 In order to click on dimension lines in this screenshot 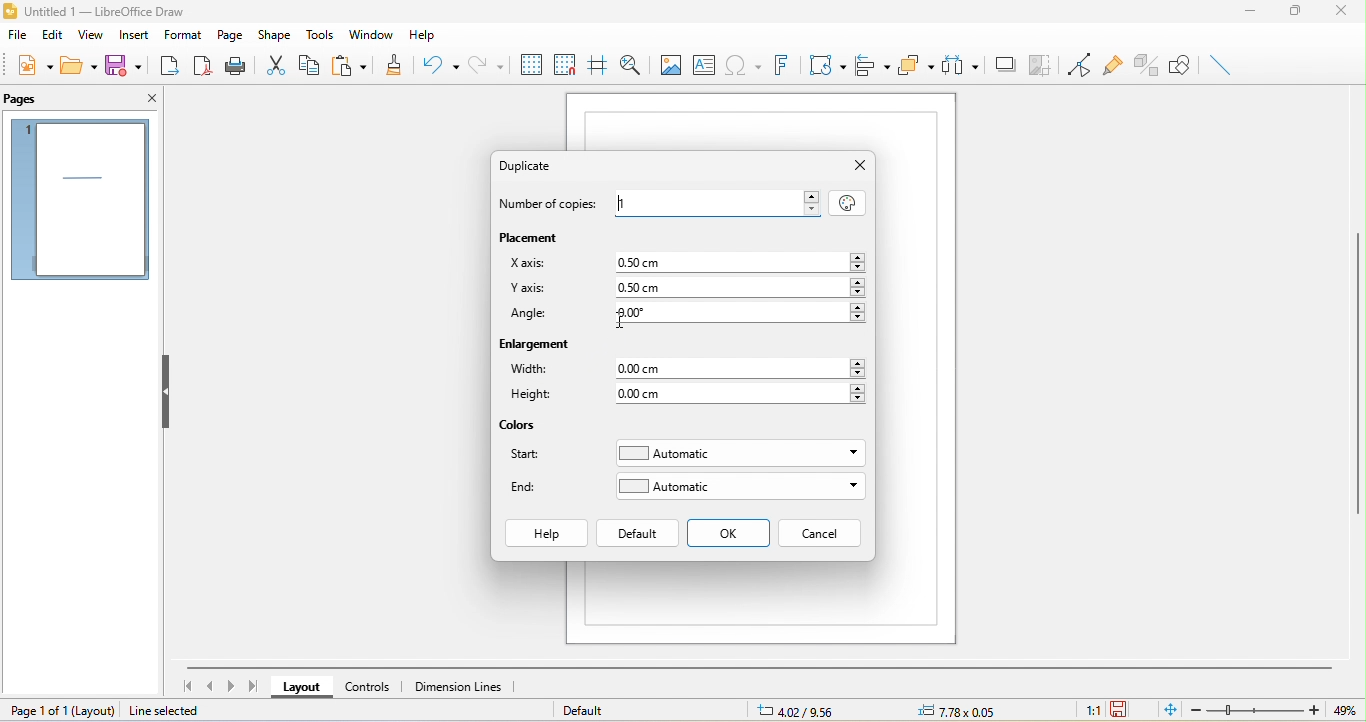, I will do `click(467, 687)`.